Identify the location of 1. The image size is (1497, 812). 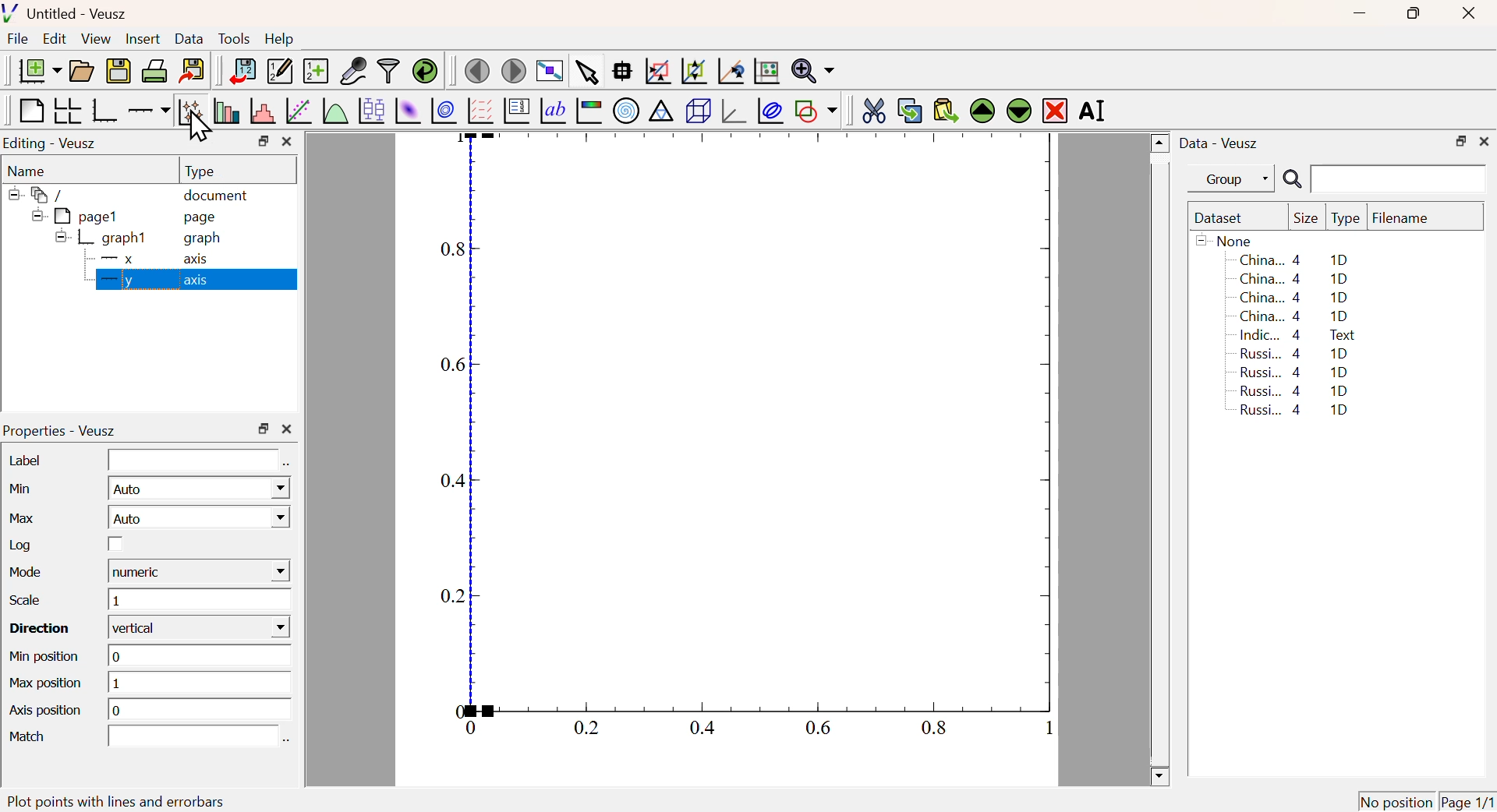
(200, 684).